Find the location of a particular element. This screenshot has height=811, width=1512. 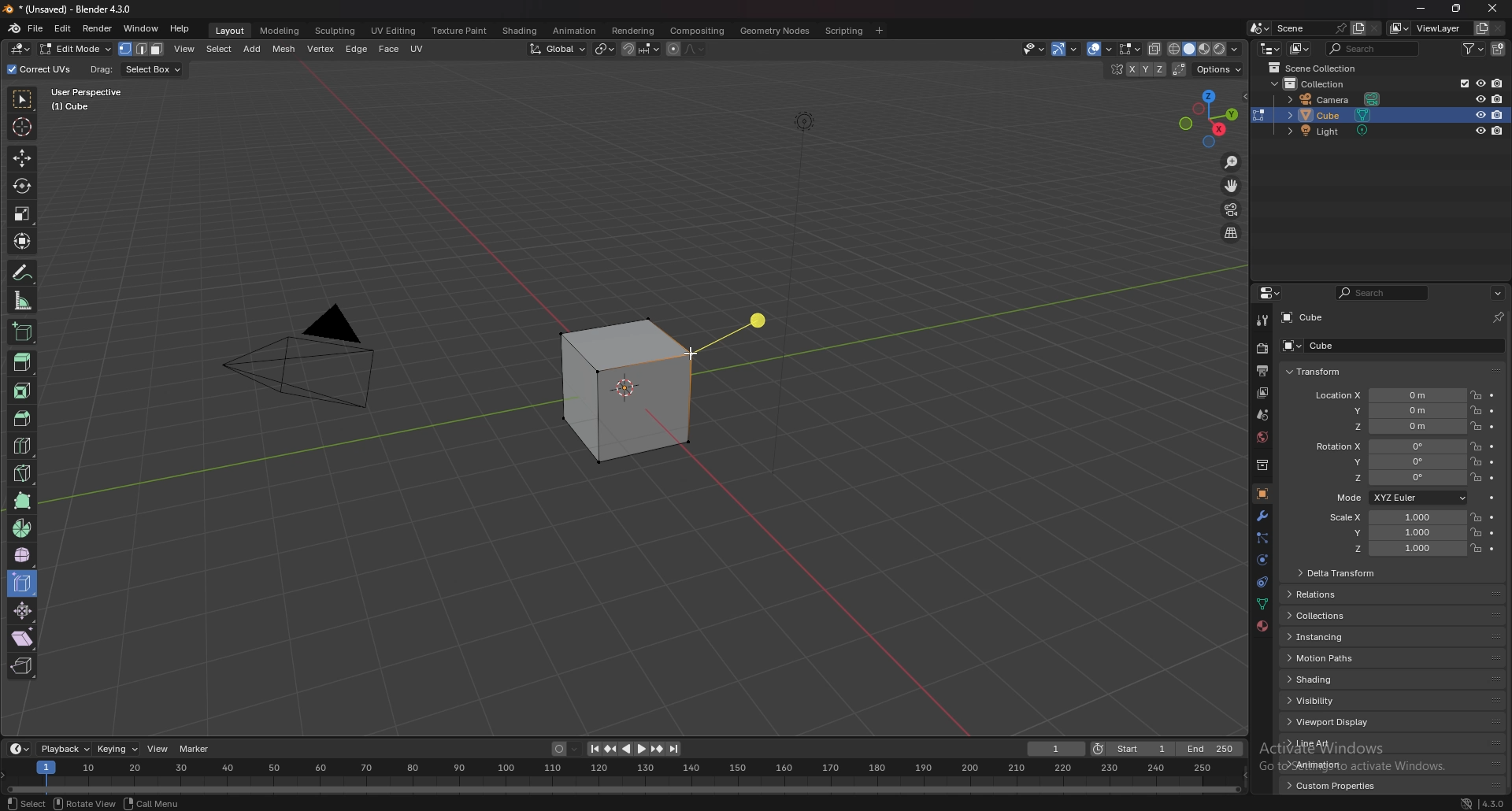

marker is located at coordinates (195, 749).